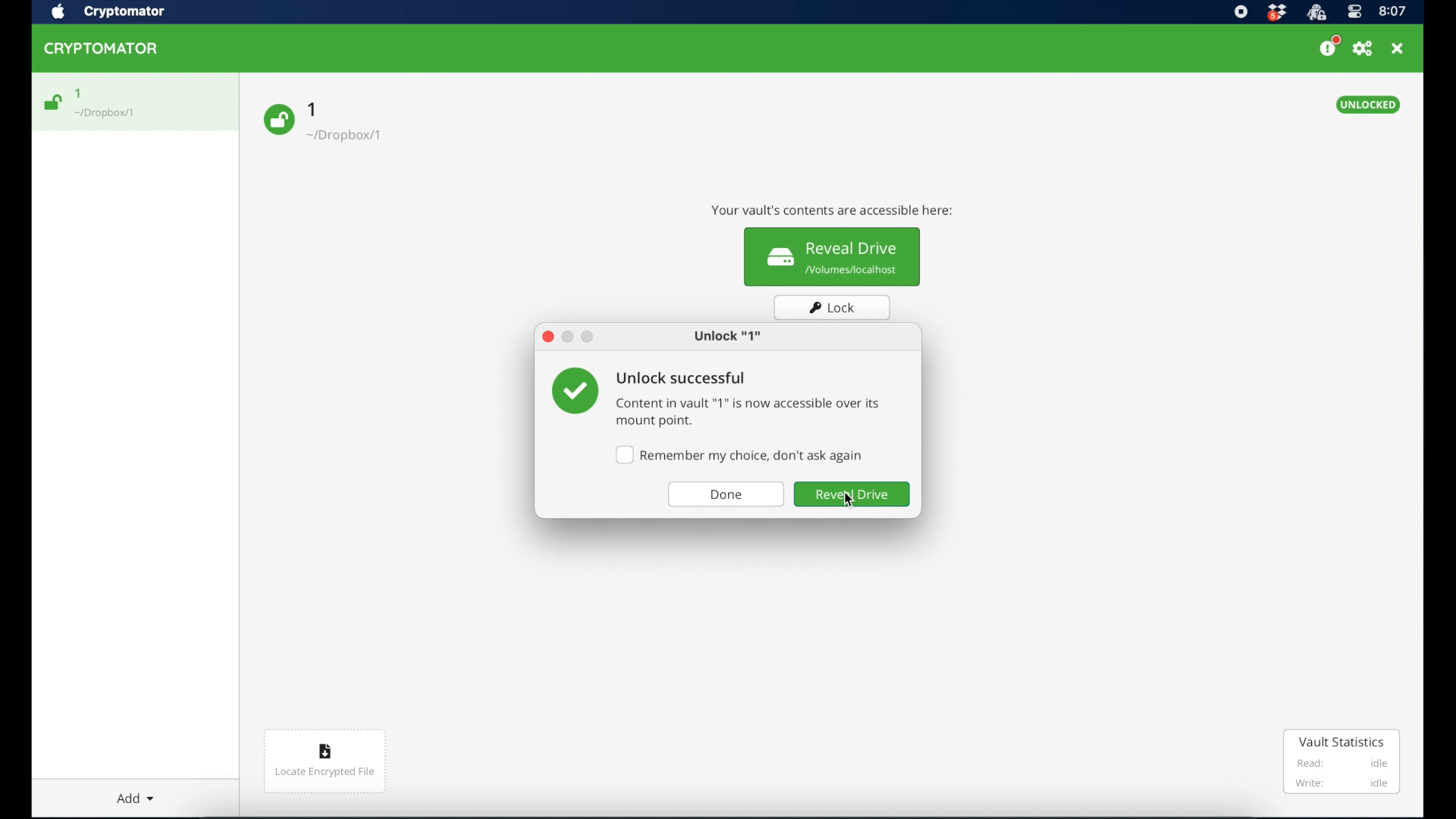 This screenshot has width=1456, height=819. Describe the element at coordinates (547, 337) in the screenshot. I see `close` at that location.